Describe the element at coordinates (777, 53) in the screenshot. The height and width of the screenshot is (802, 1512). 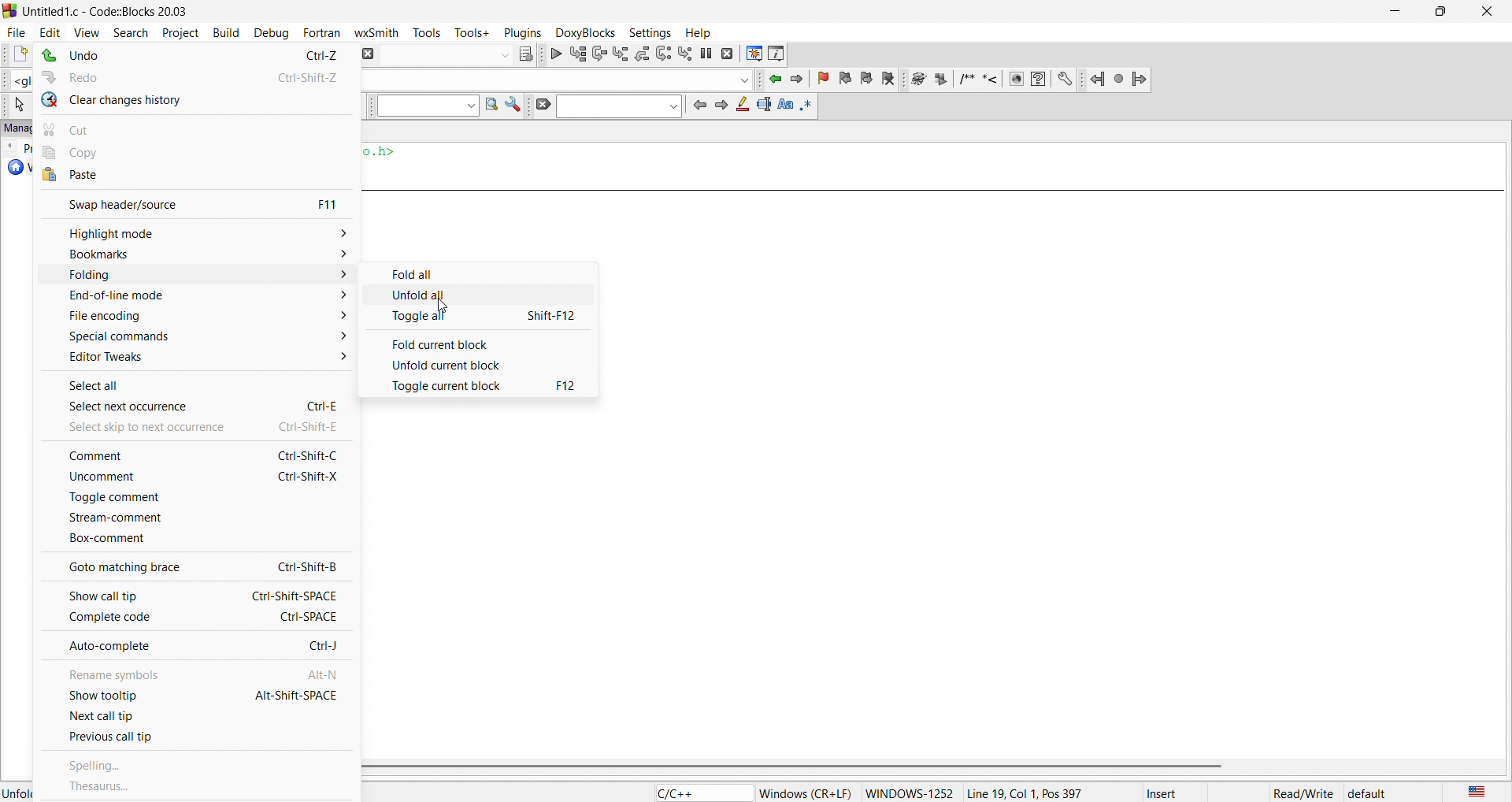
I see `various info` at that location.